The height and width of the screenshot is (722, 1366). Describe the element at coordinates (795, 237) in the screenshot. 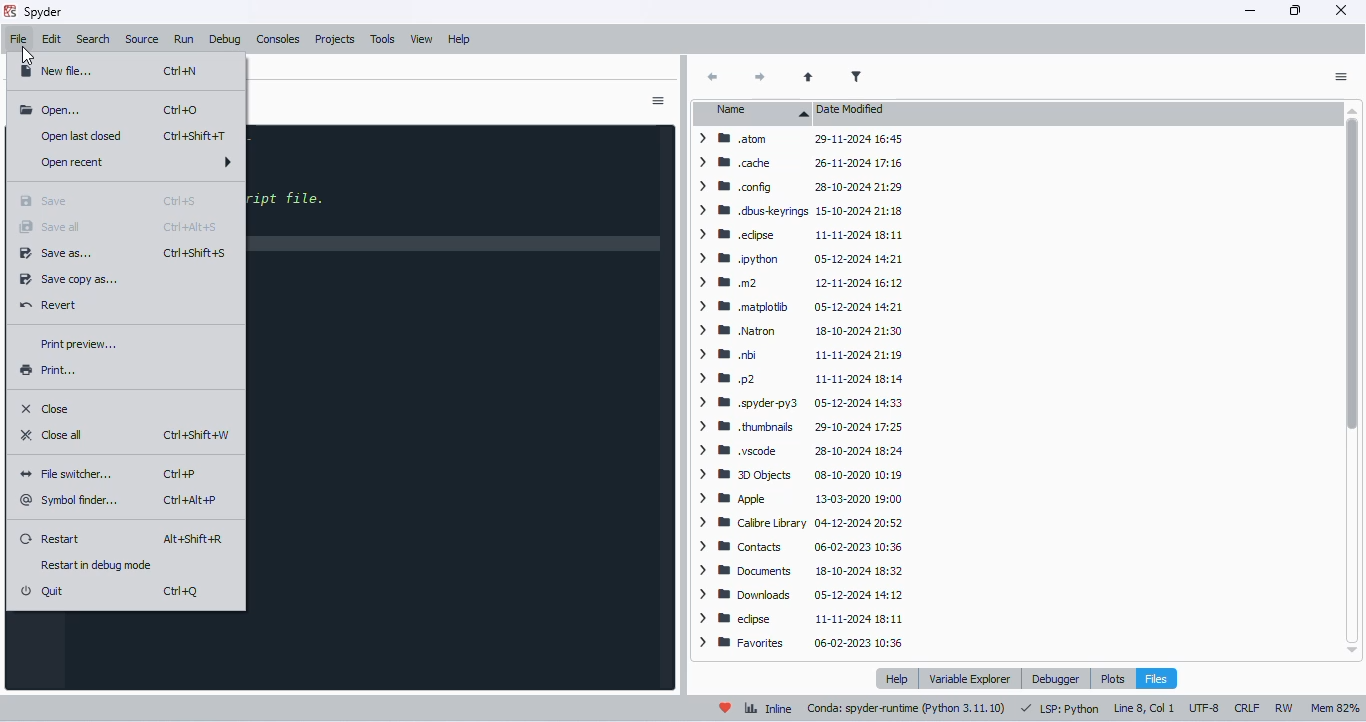

I see `> BW edipse 11-11-2024 18:11` at that location.